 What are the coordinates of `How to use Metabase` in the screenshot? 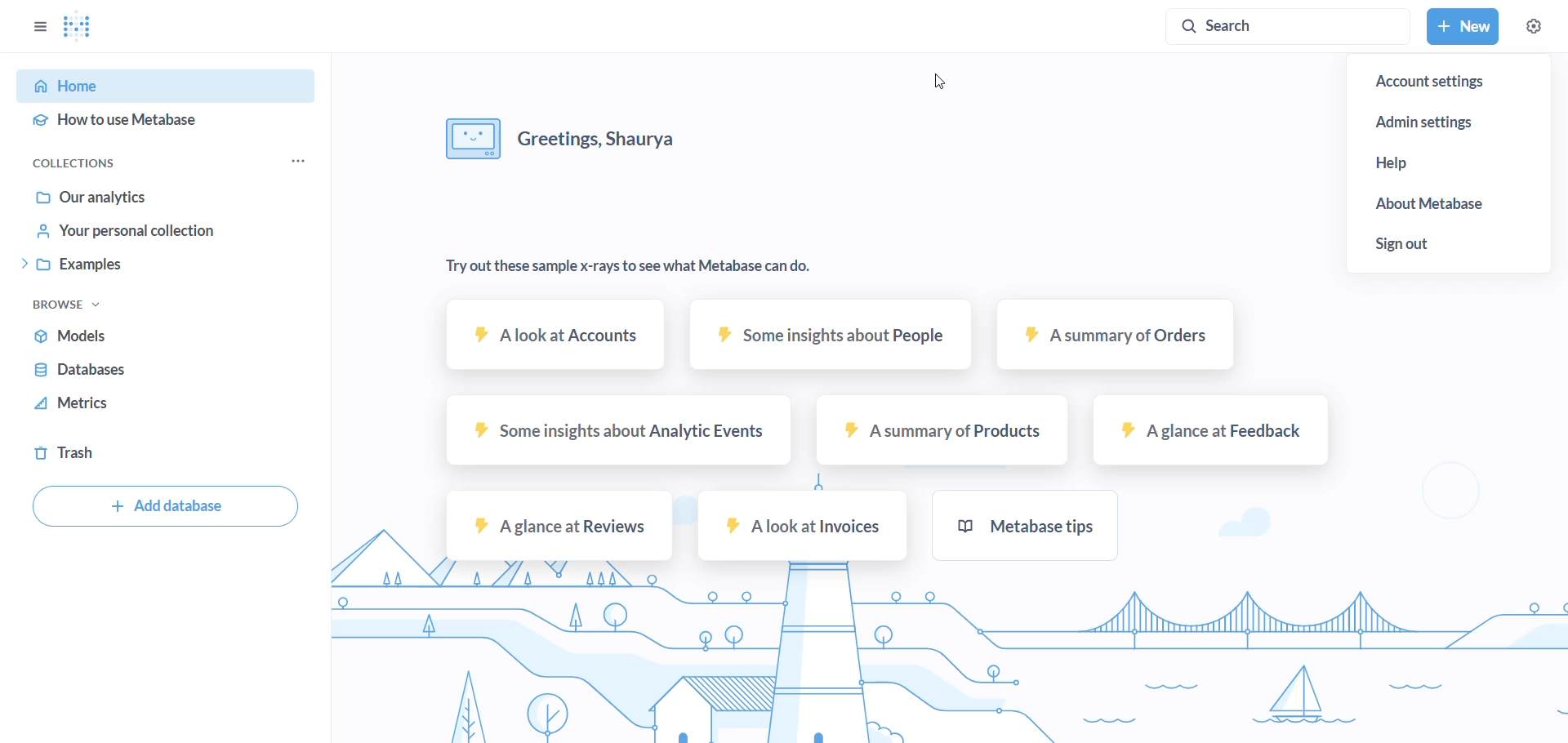 It's located at (151, 123).